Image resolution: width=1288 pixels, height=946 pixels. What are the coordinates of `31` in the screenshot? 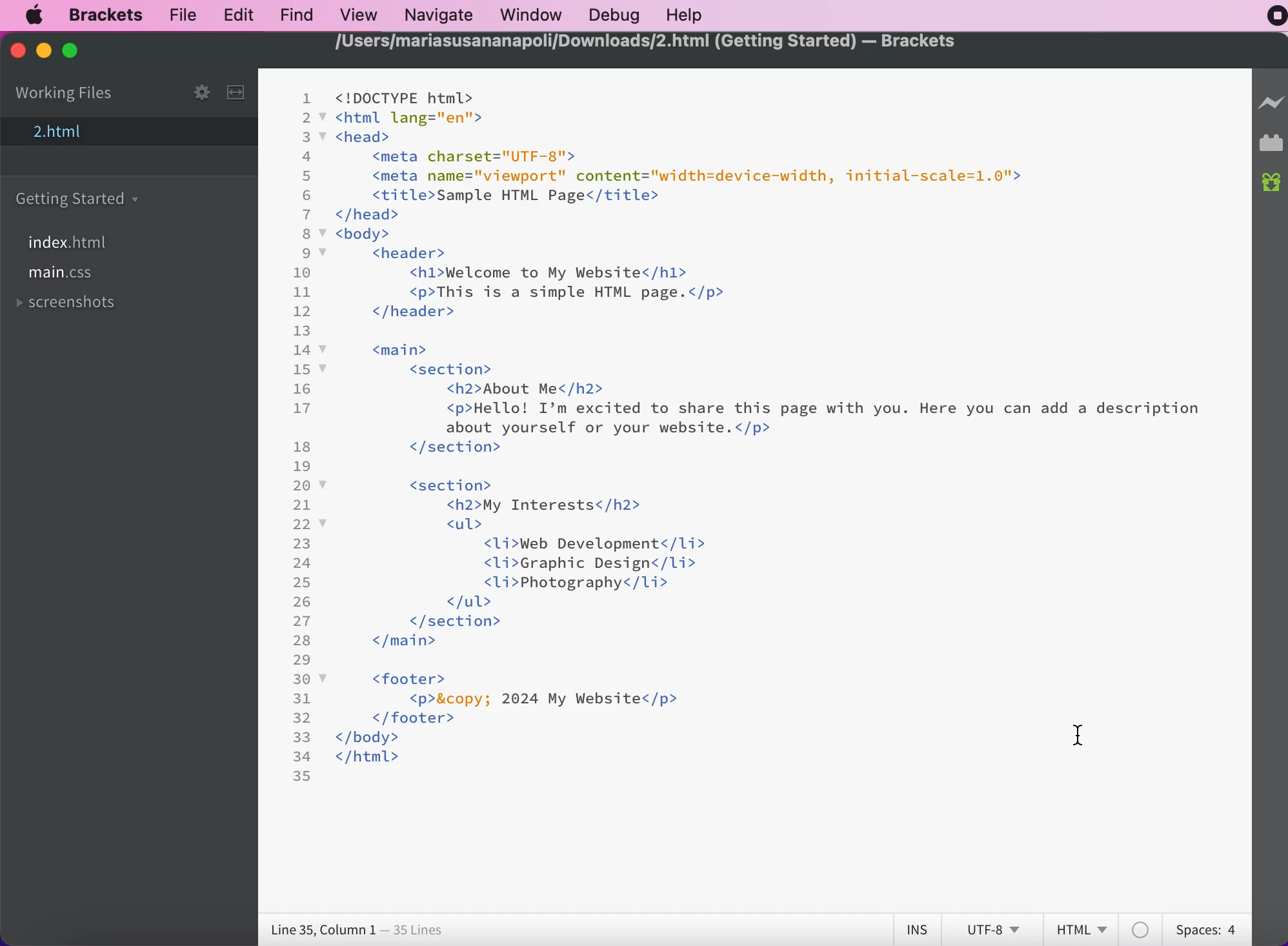 It's located at (301, 699).